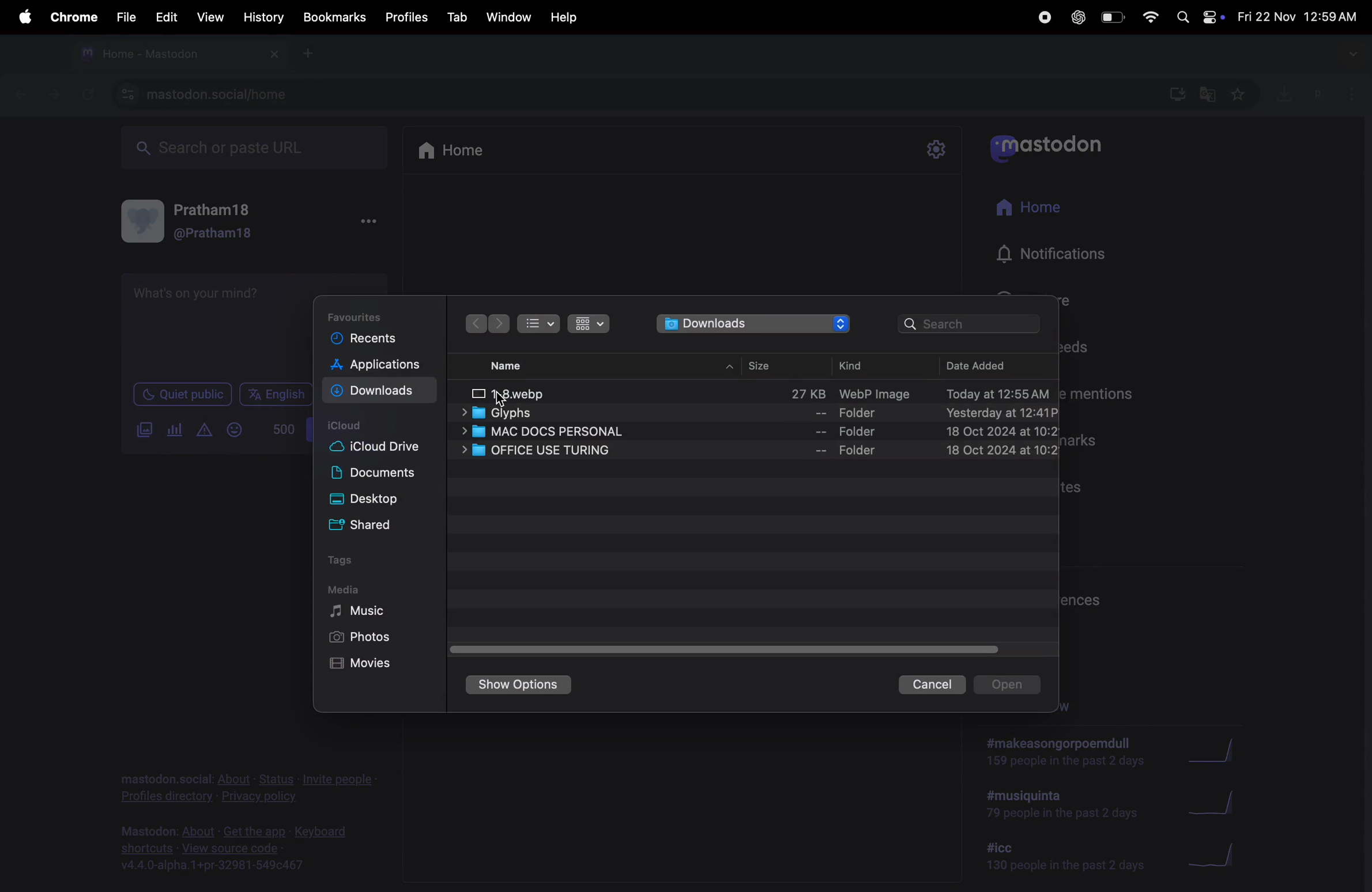 The width and height of the screenshot is (1372, 892). Describe the element at coordinates (165, 778) in the screenshot. I see `mastodon.social` at that location.